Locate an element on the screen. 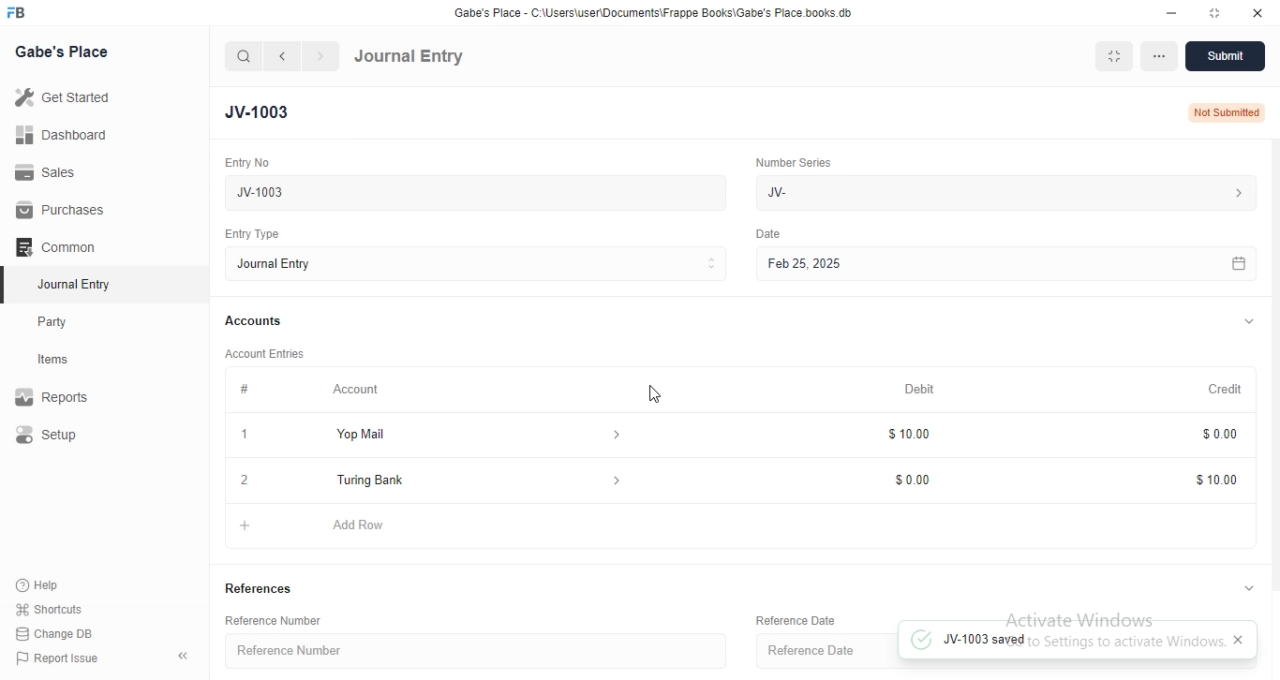 The image size is (1280, 680). JV-1003 SAVED is located at coordinates (1055, 641).